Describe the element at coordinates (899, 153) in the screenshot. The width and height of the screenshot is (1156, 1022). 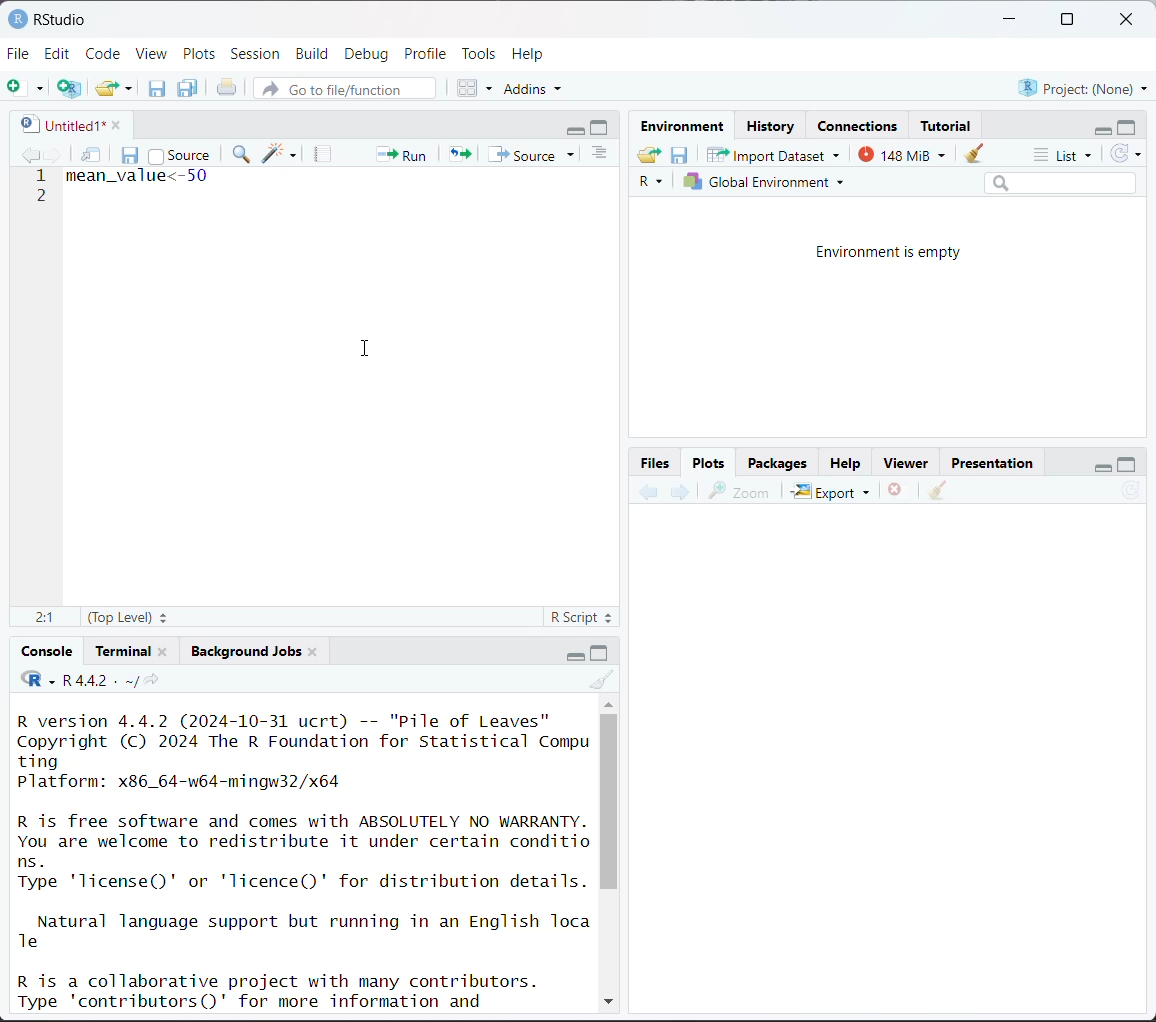
I see ` 148 MiB` at that location.